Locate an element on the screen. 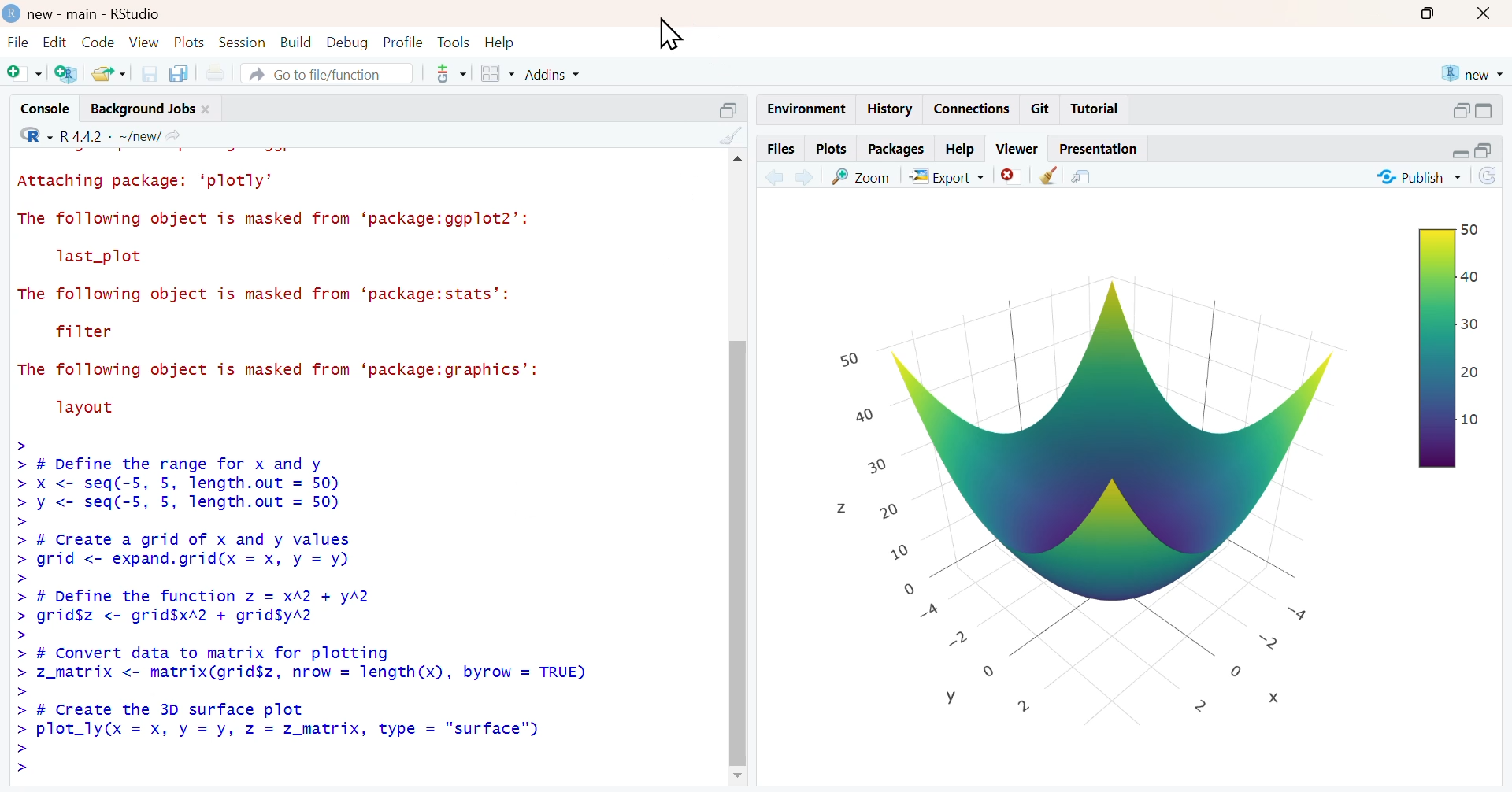  plots is located at coordinates (191, 43).